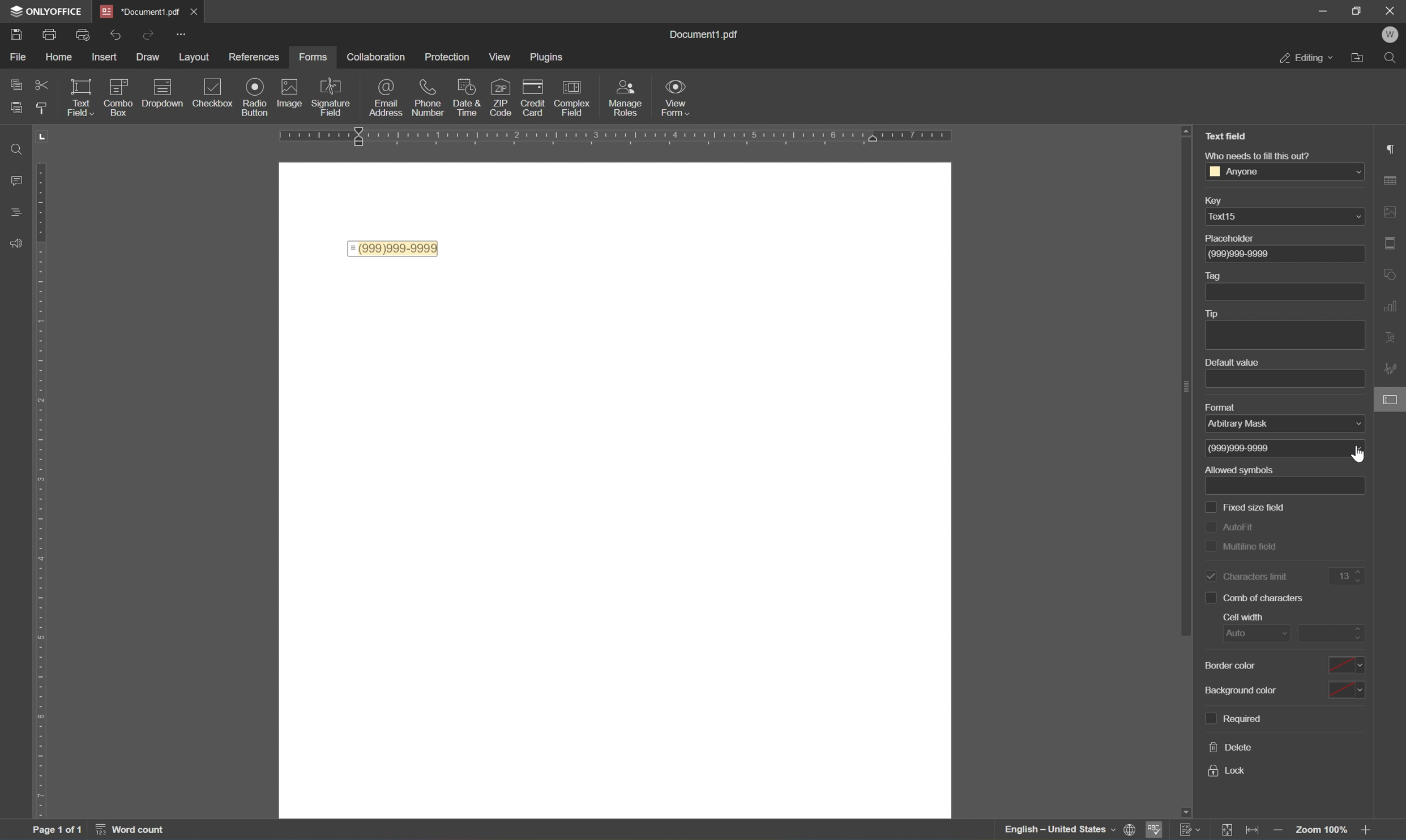 Image resolution: width=1406 pixels, height=840 pixels. I want to click on autofill, so click(1232, 530).